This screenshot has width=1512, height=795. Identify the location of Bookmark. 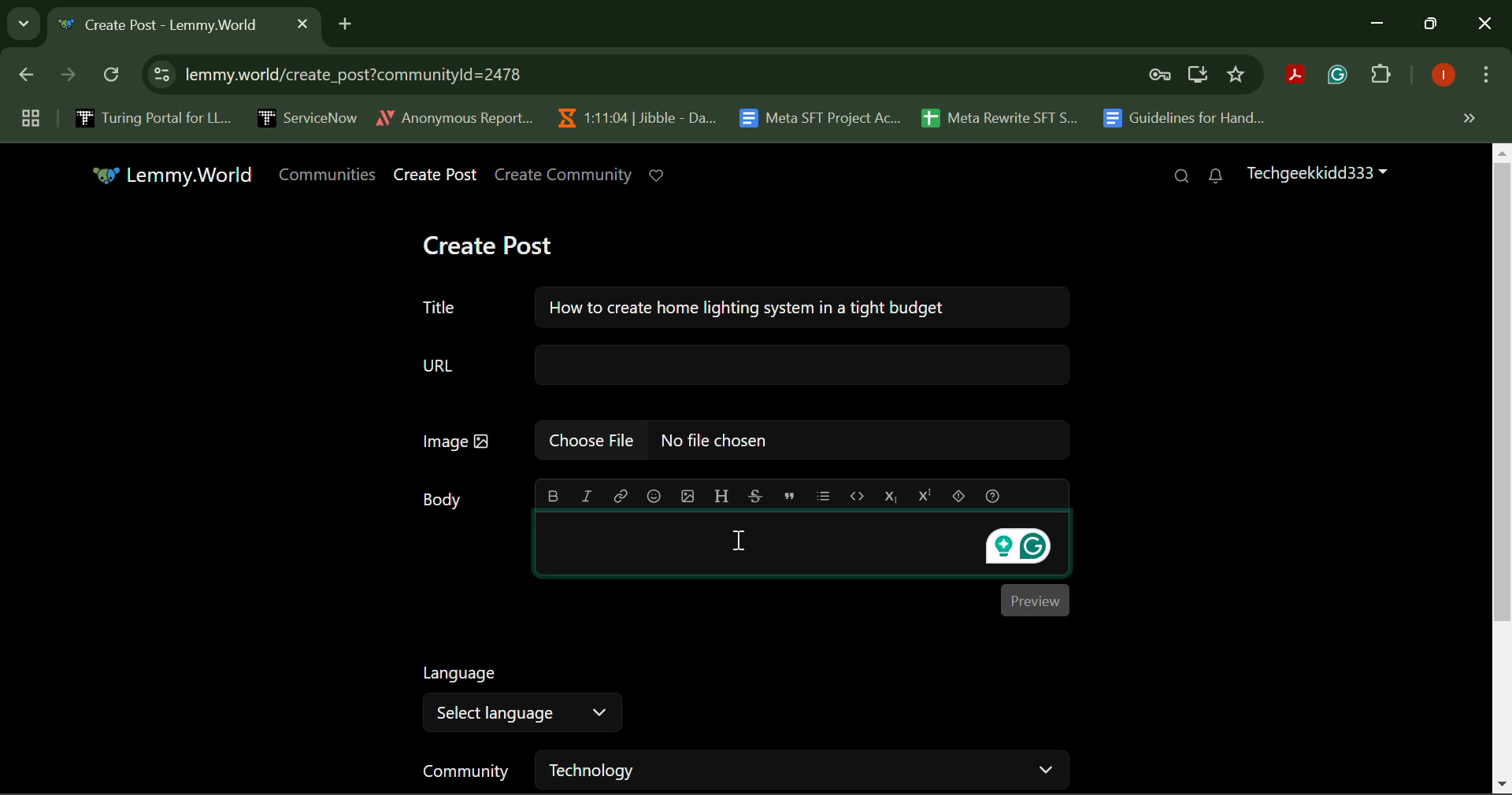
(1237, 75).